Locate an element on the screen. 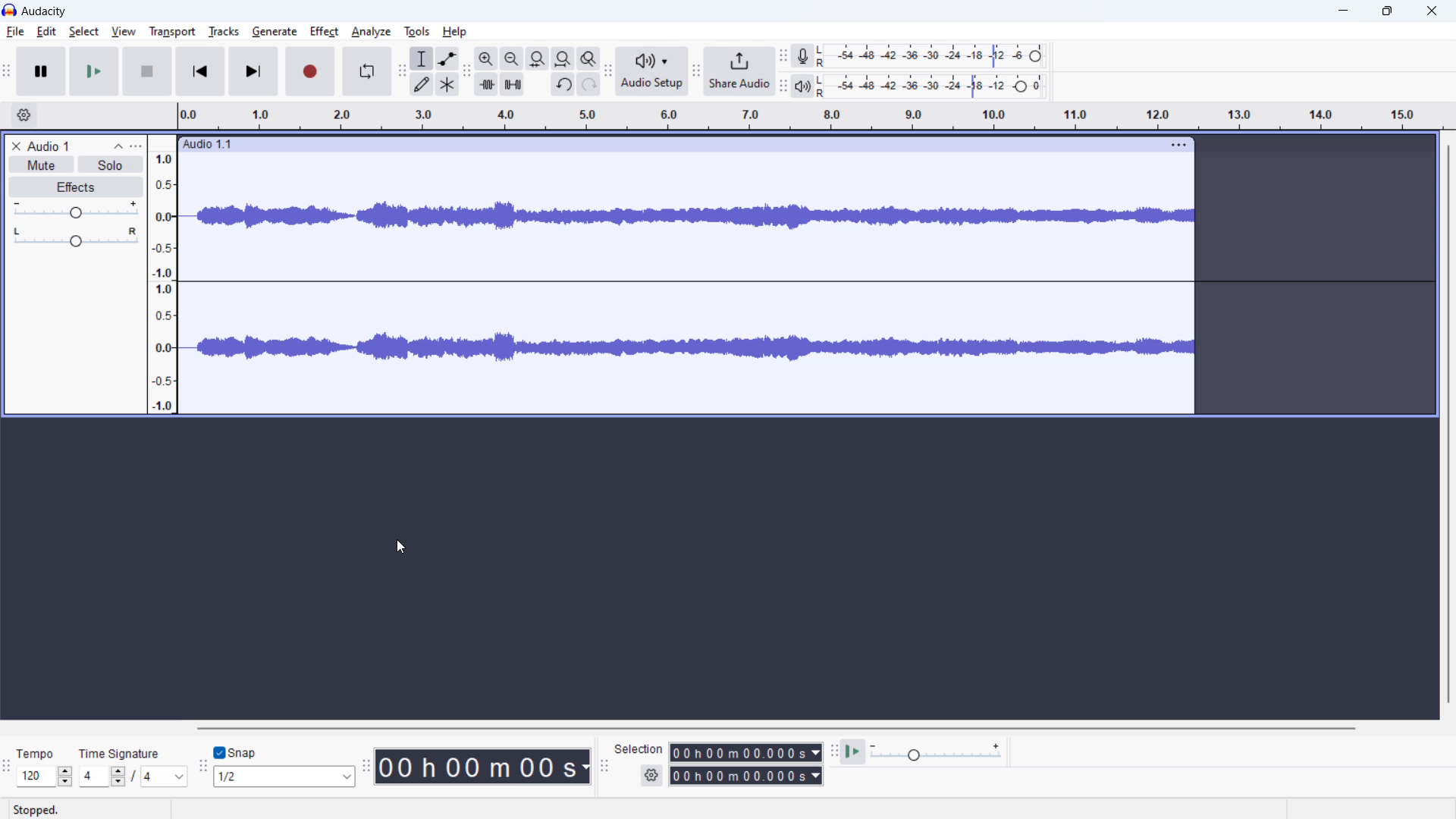 Image resolution: width=1456 pixels, height=819 pixels. gain is located at coordinates (76, 210).